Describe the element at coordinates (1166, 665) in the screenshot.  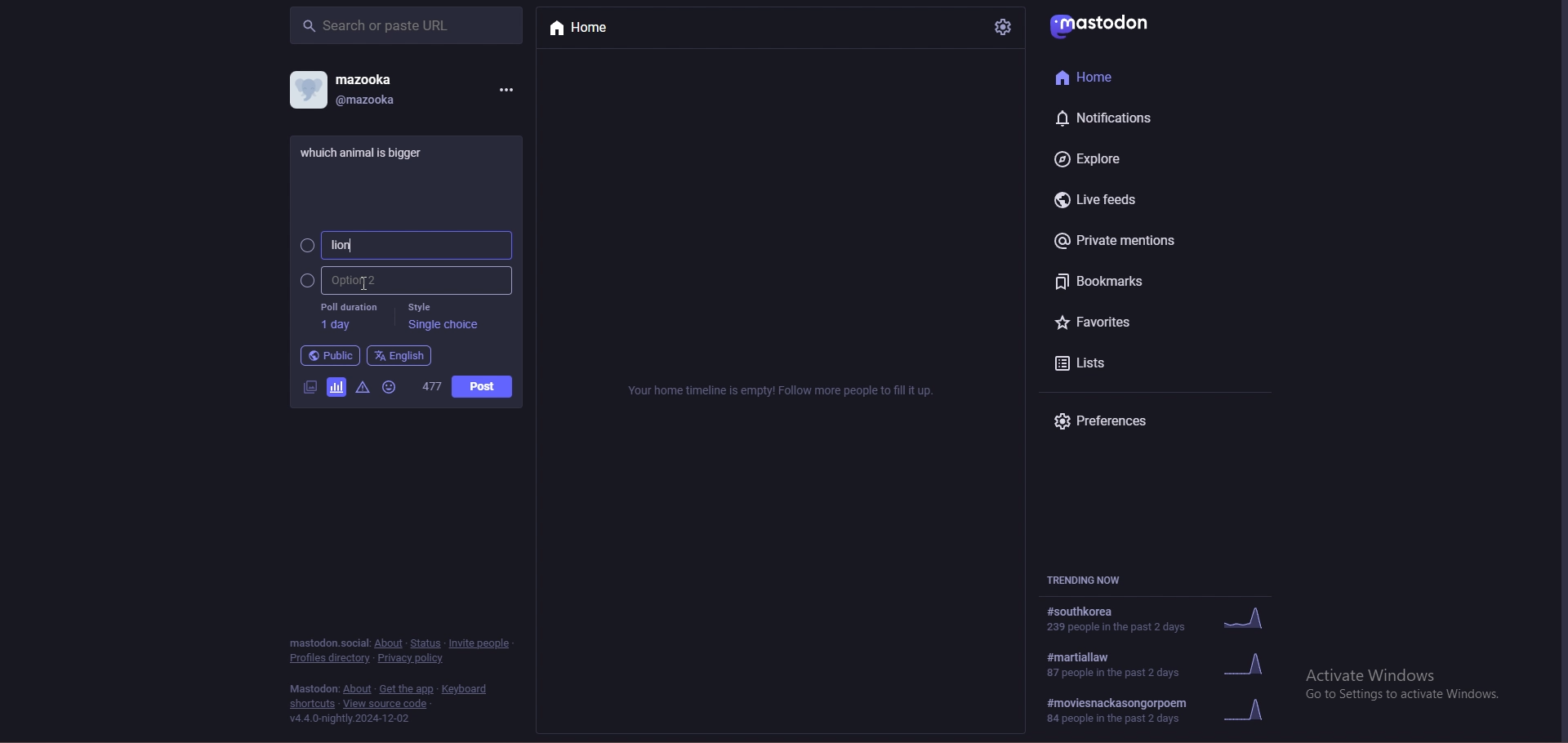
I see `trend` at that location.